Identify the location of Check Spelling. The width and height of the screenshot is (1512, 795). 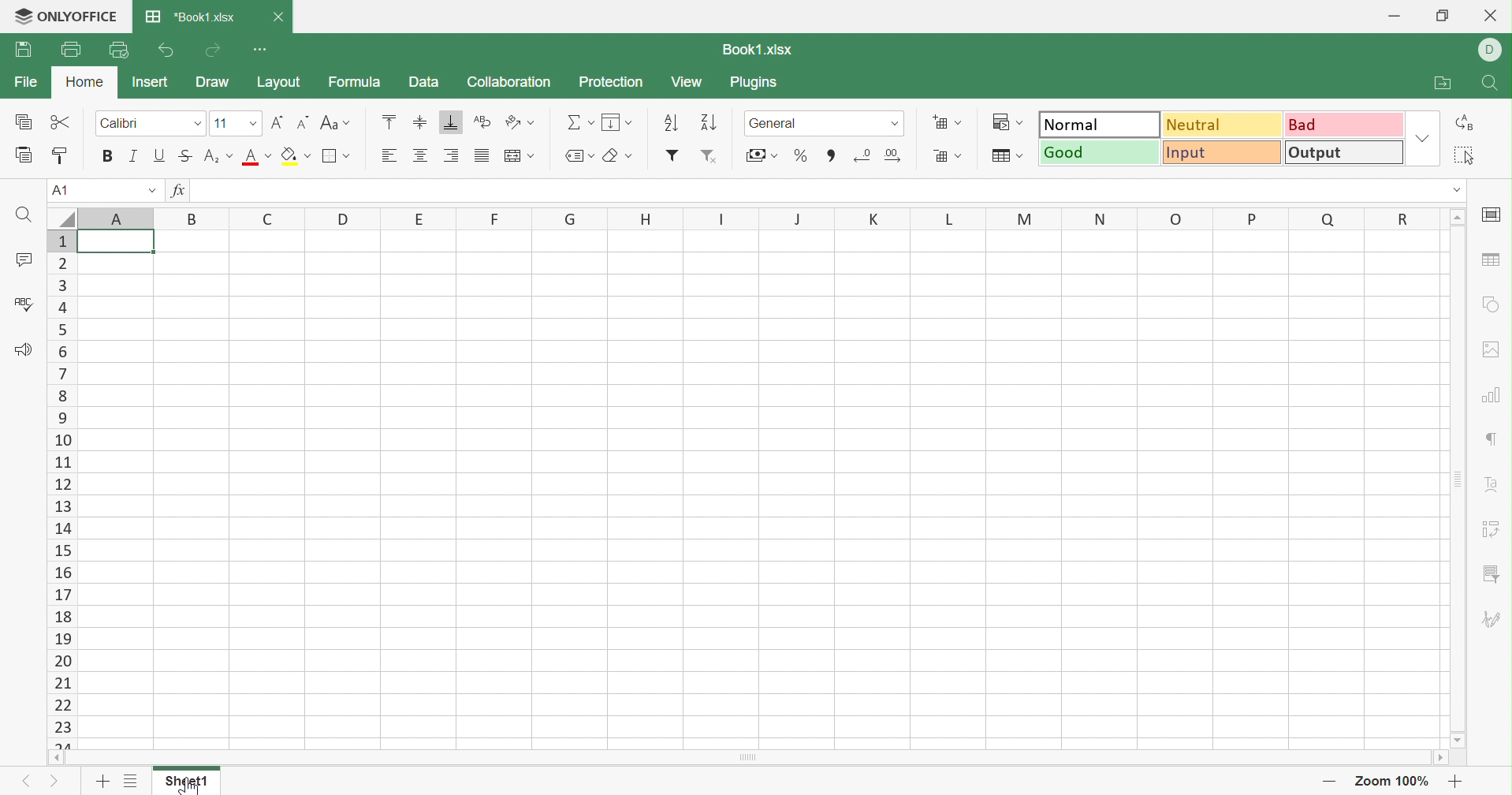
(28, 303).